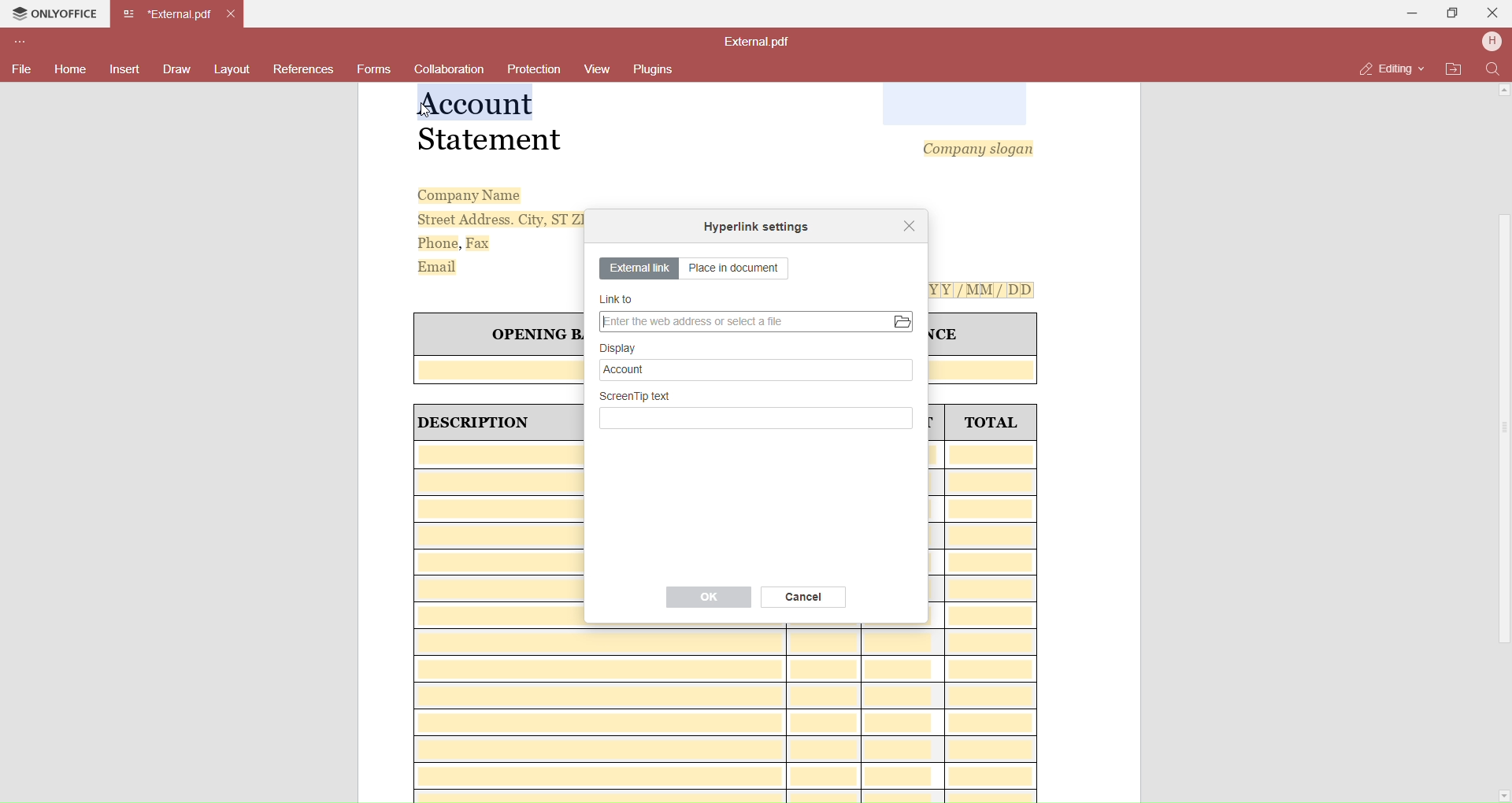 The image size is (1512, 803). Describe the element at coordinates (642, 395) in the screenshot. I see `Screen tip text` at that location.